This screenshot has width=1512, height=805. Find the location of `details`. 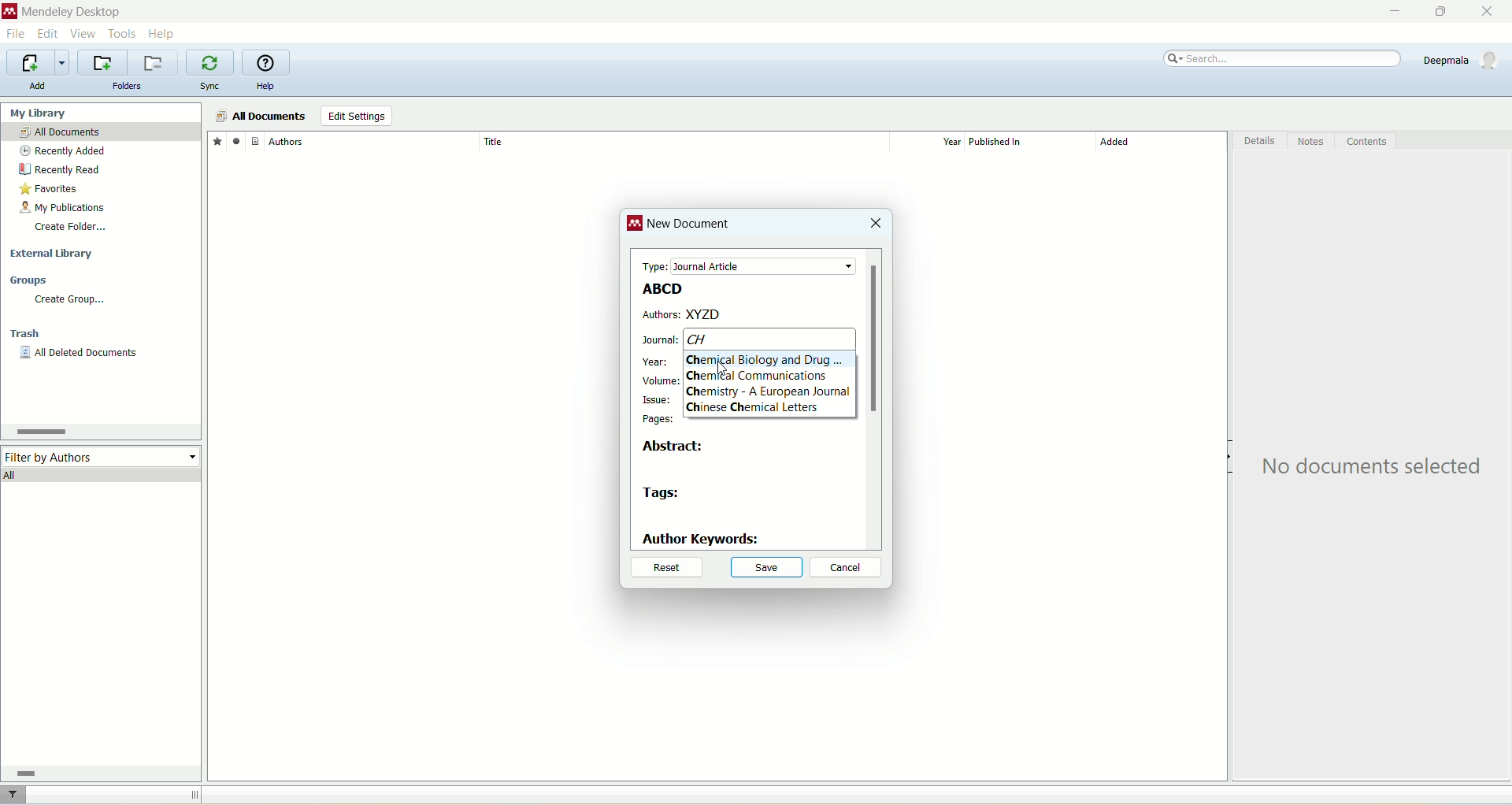

details is located at coordinates (1261, 143).